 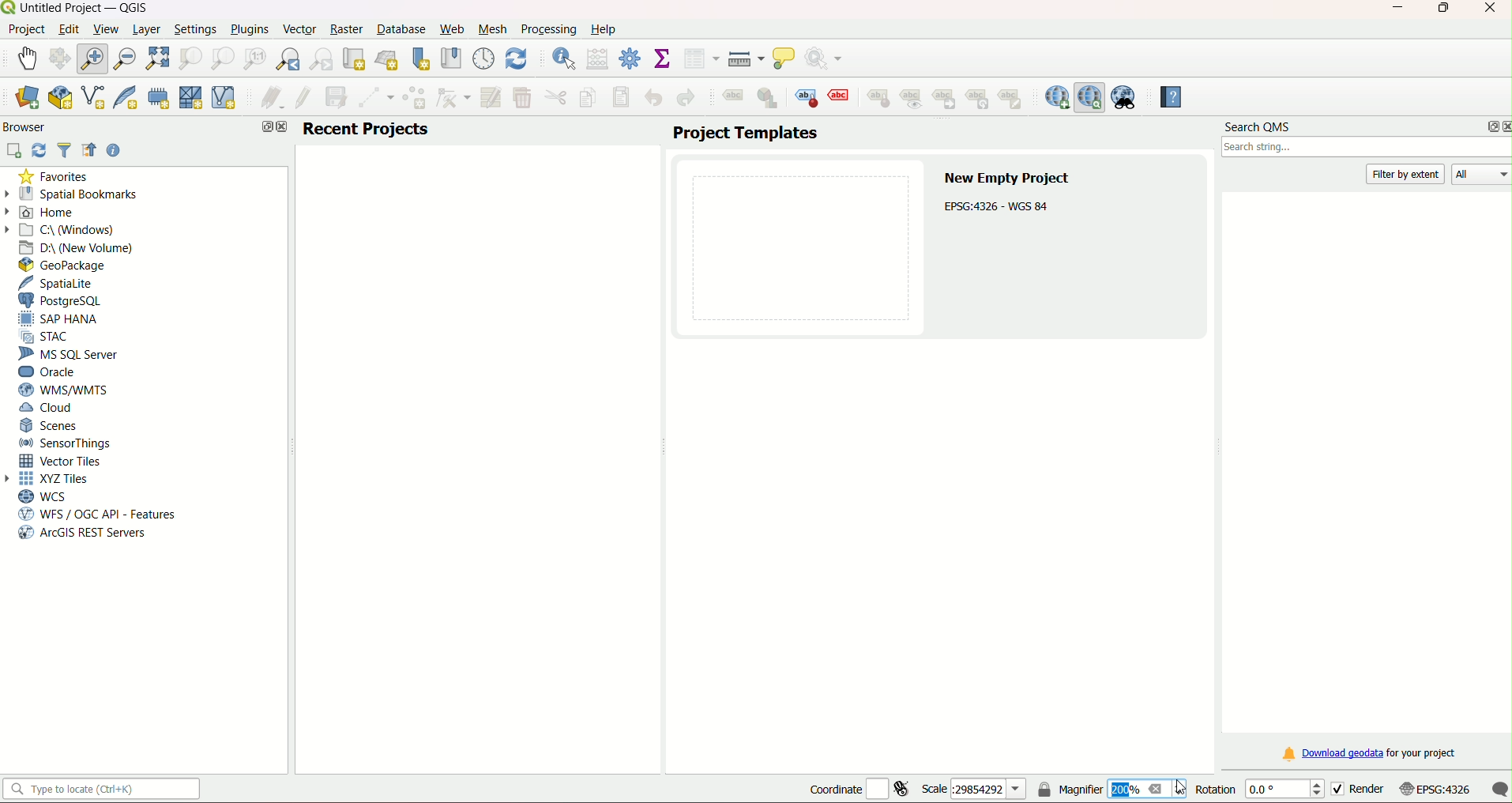 I want to click on new virtual layer, so click(x=227, y=97).